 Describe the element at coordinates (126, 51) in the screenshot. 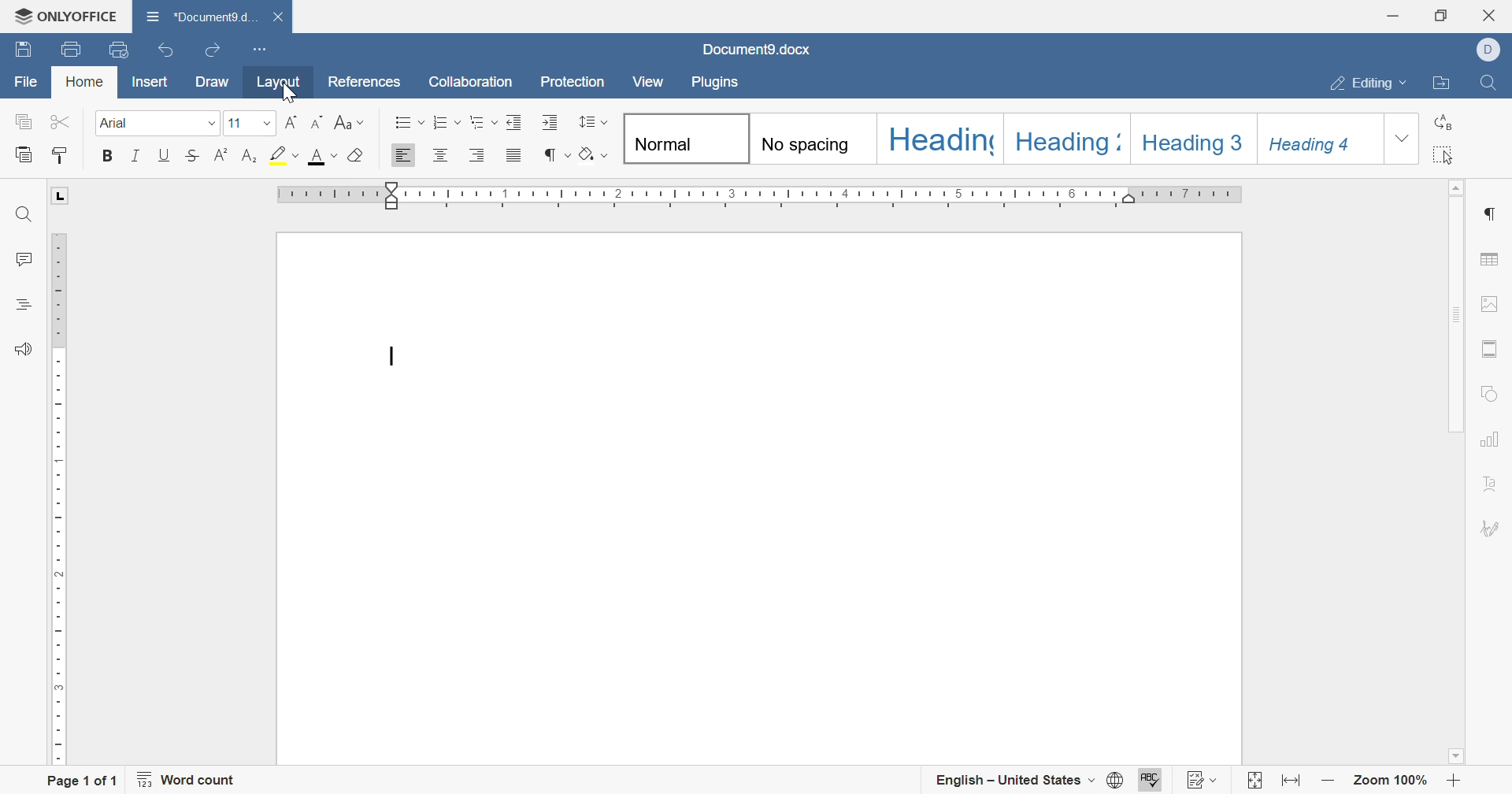

I see `quick print` at that location.